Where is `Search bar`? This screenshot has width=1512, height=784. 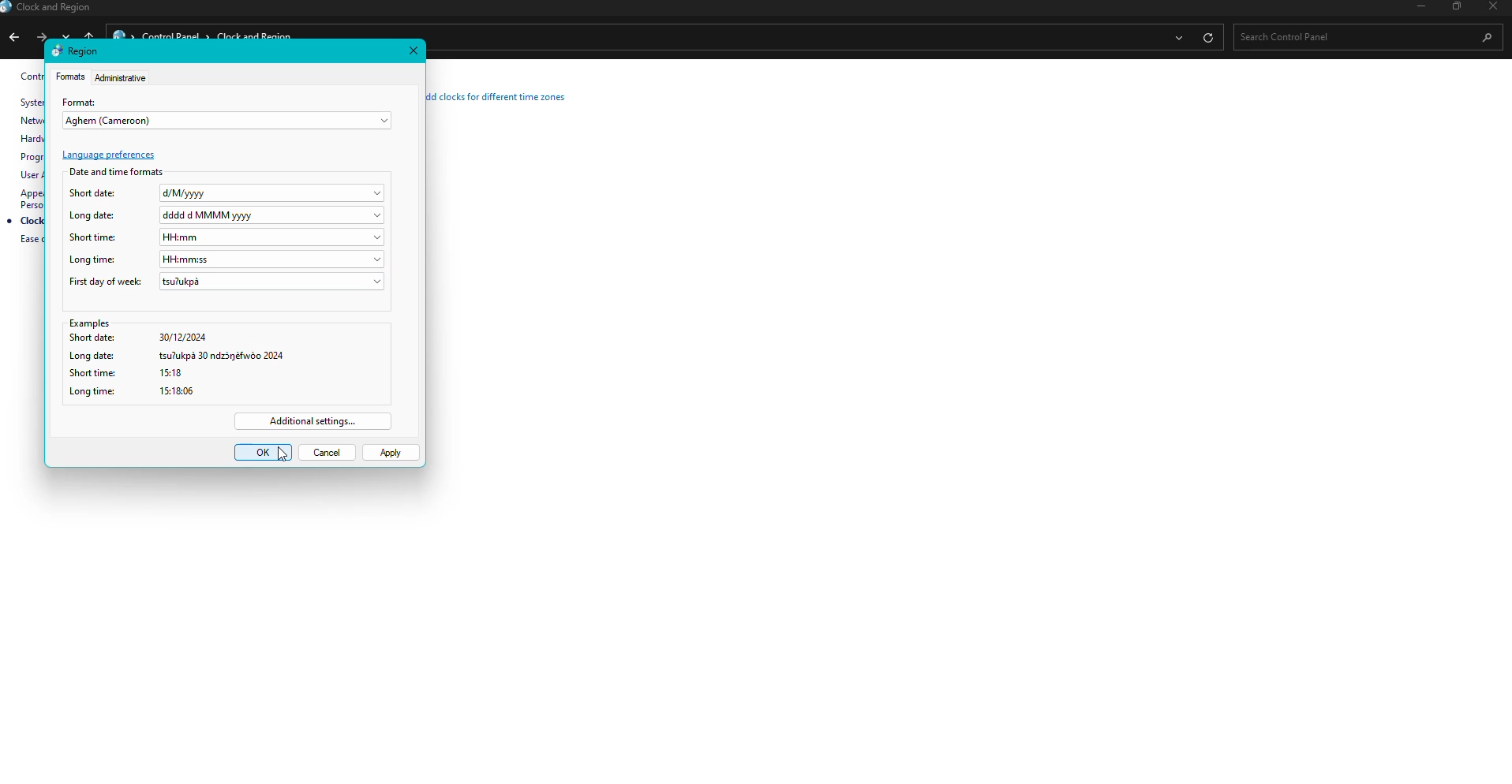 Search bar is located at coordinates (1362, 36).